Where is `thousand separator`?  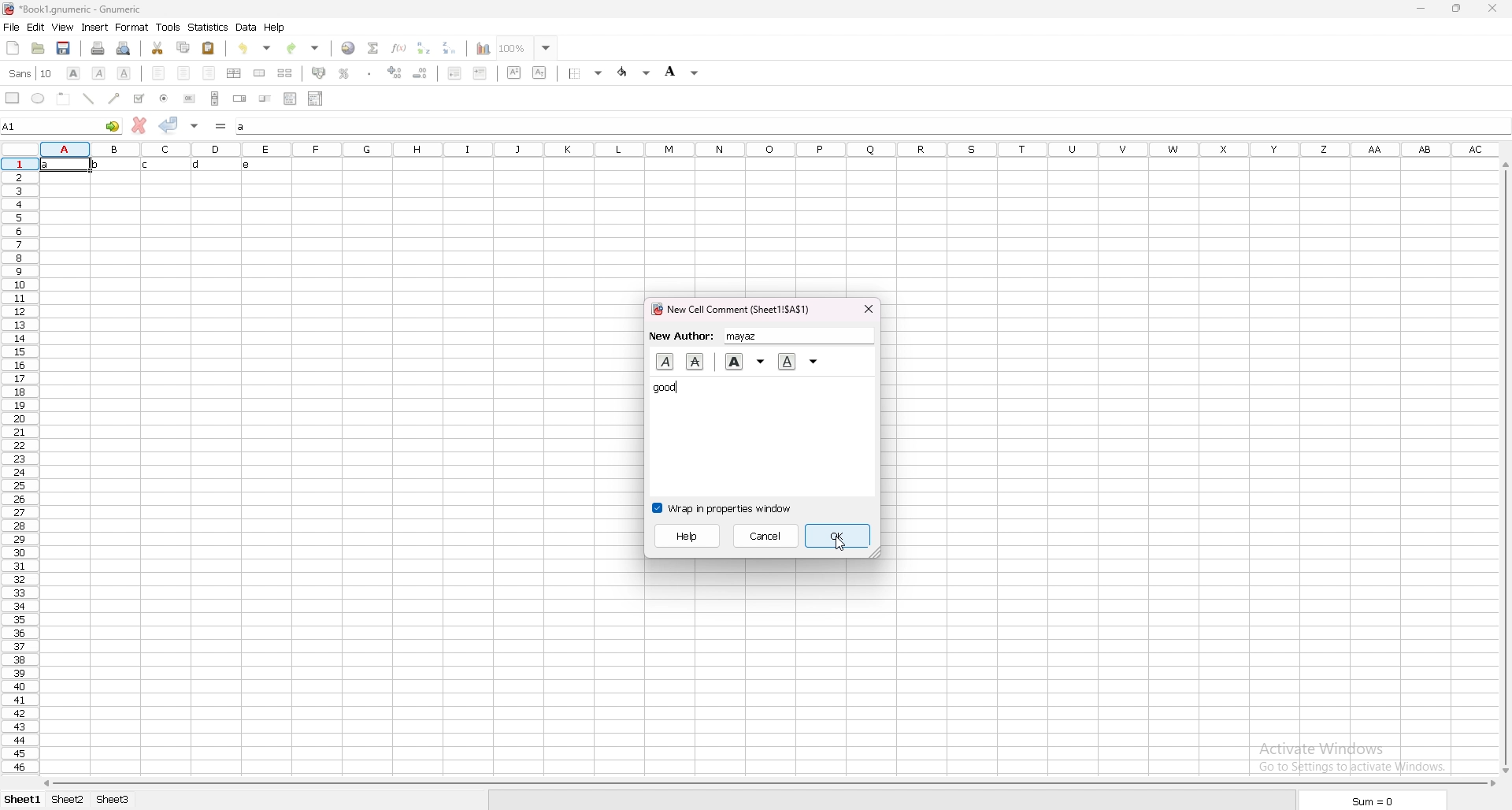 thousand separator is located at coordinates (370, 72).